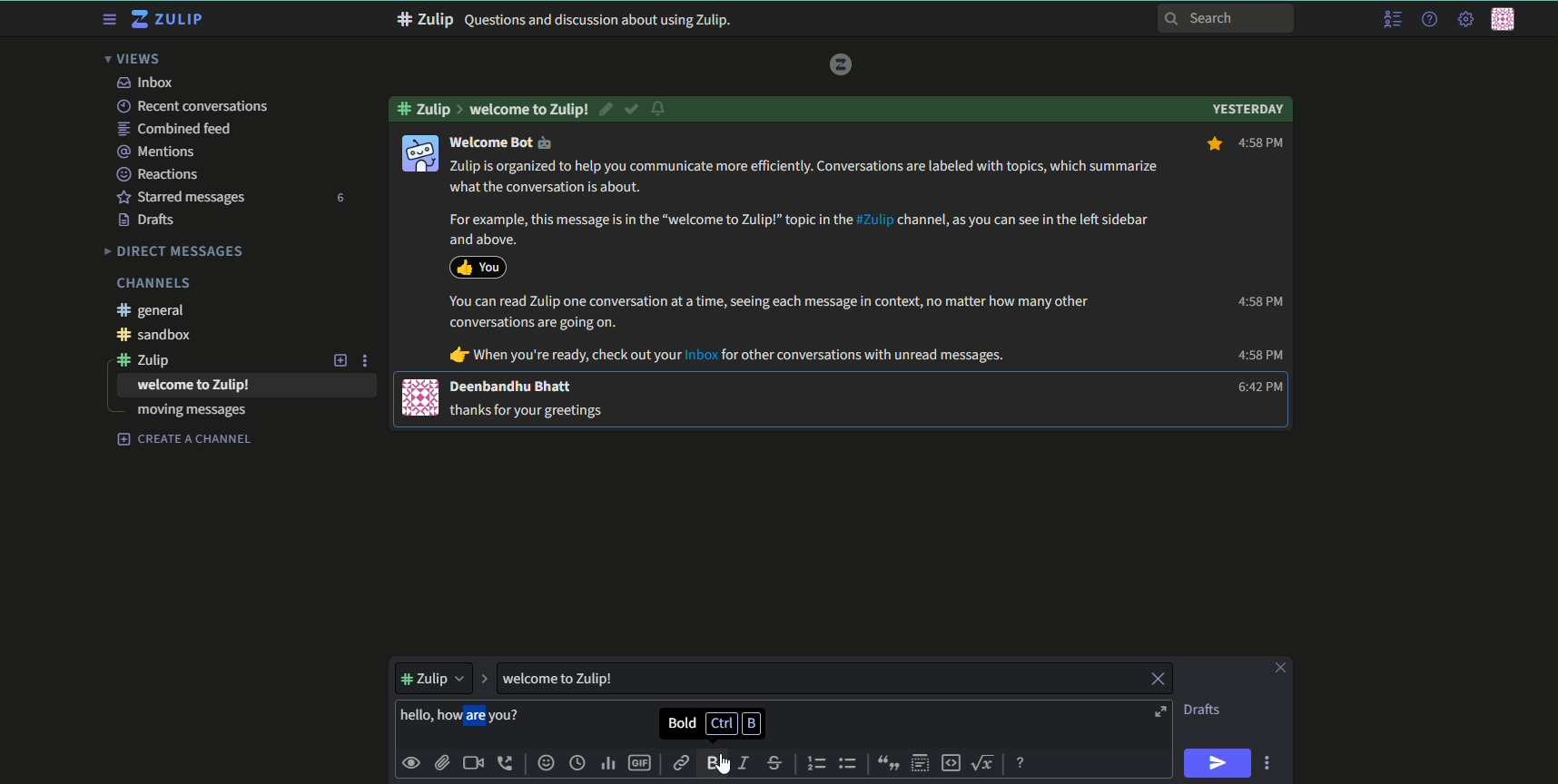 This screenshot has width=1558, height=784. I want to click on moving messages, so click(192, 412).